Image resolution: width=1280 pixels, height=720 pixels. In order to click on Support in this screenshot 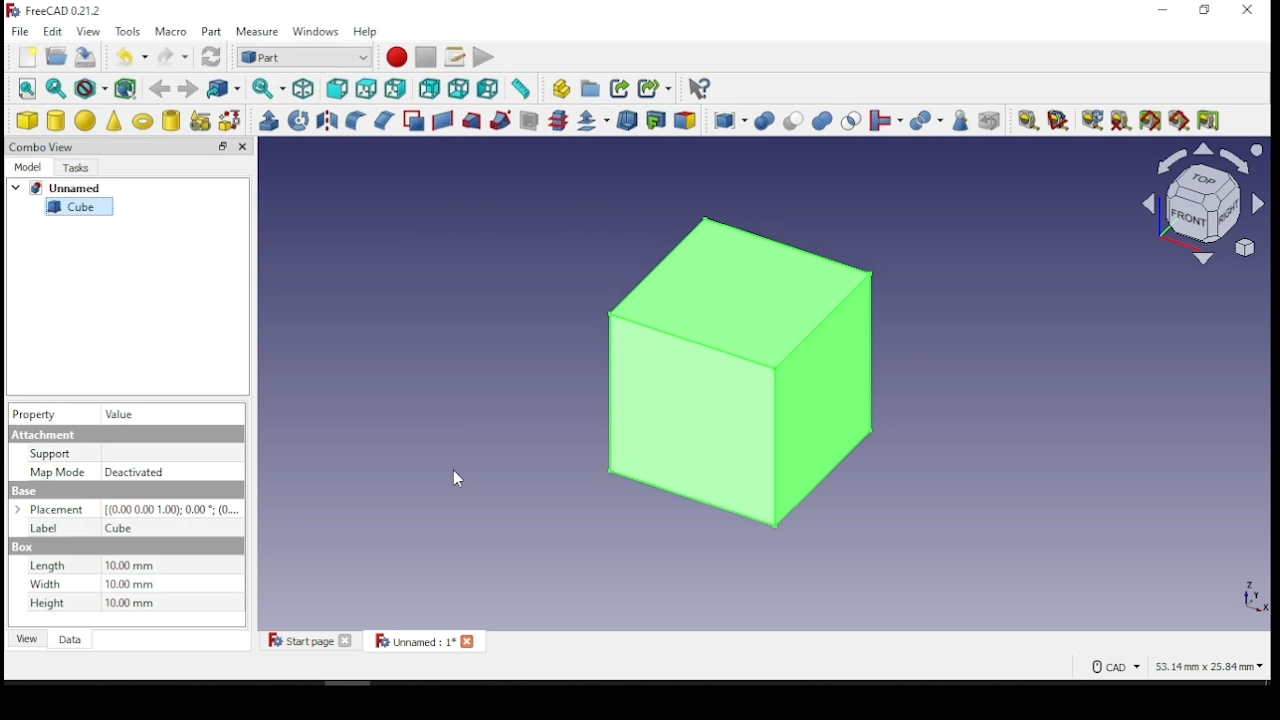, I will do `click(49, 454)`.